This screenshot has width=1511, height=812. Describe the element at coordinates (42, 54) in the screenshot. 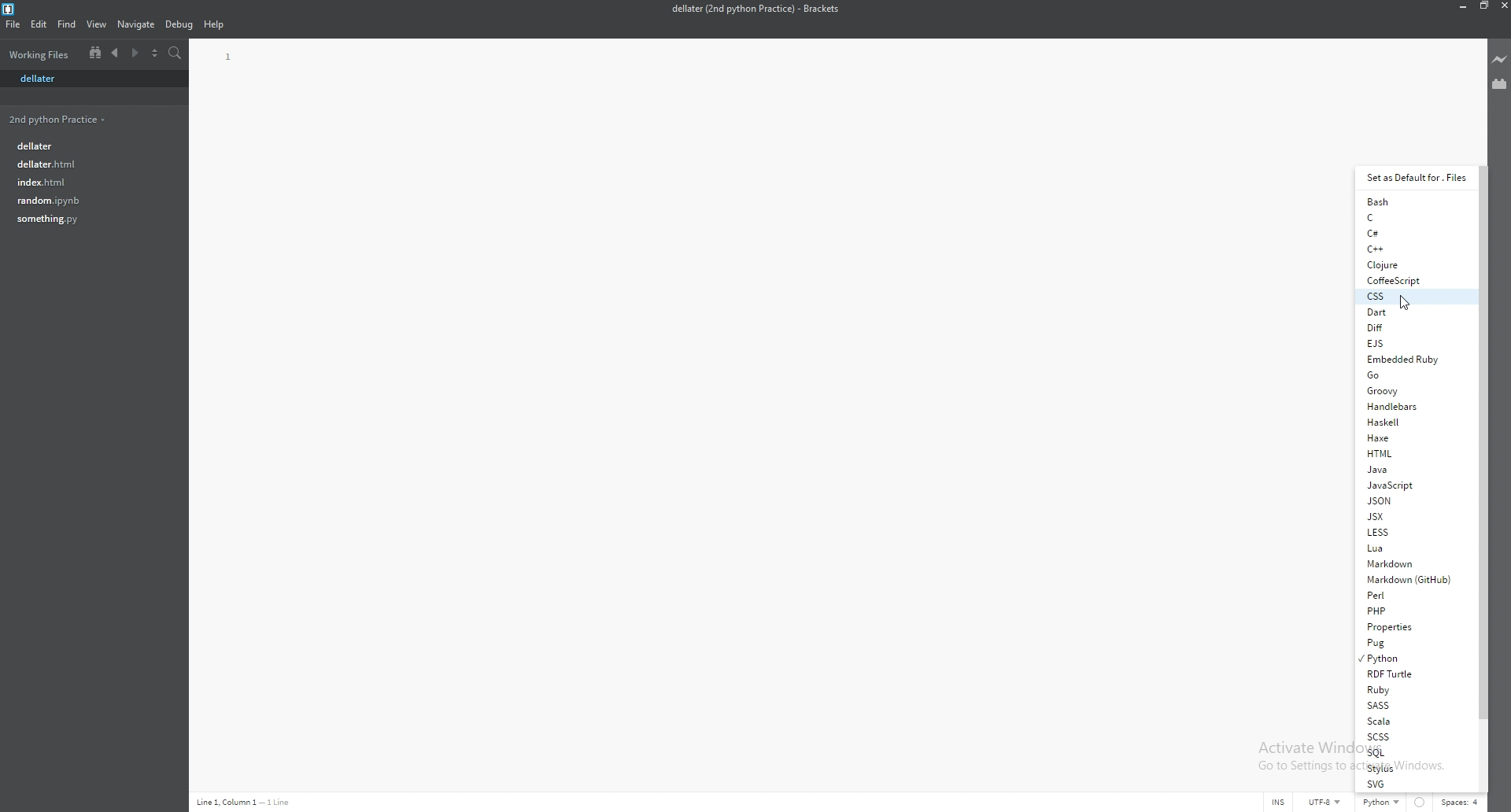

I see `working files` at that location.